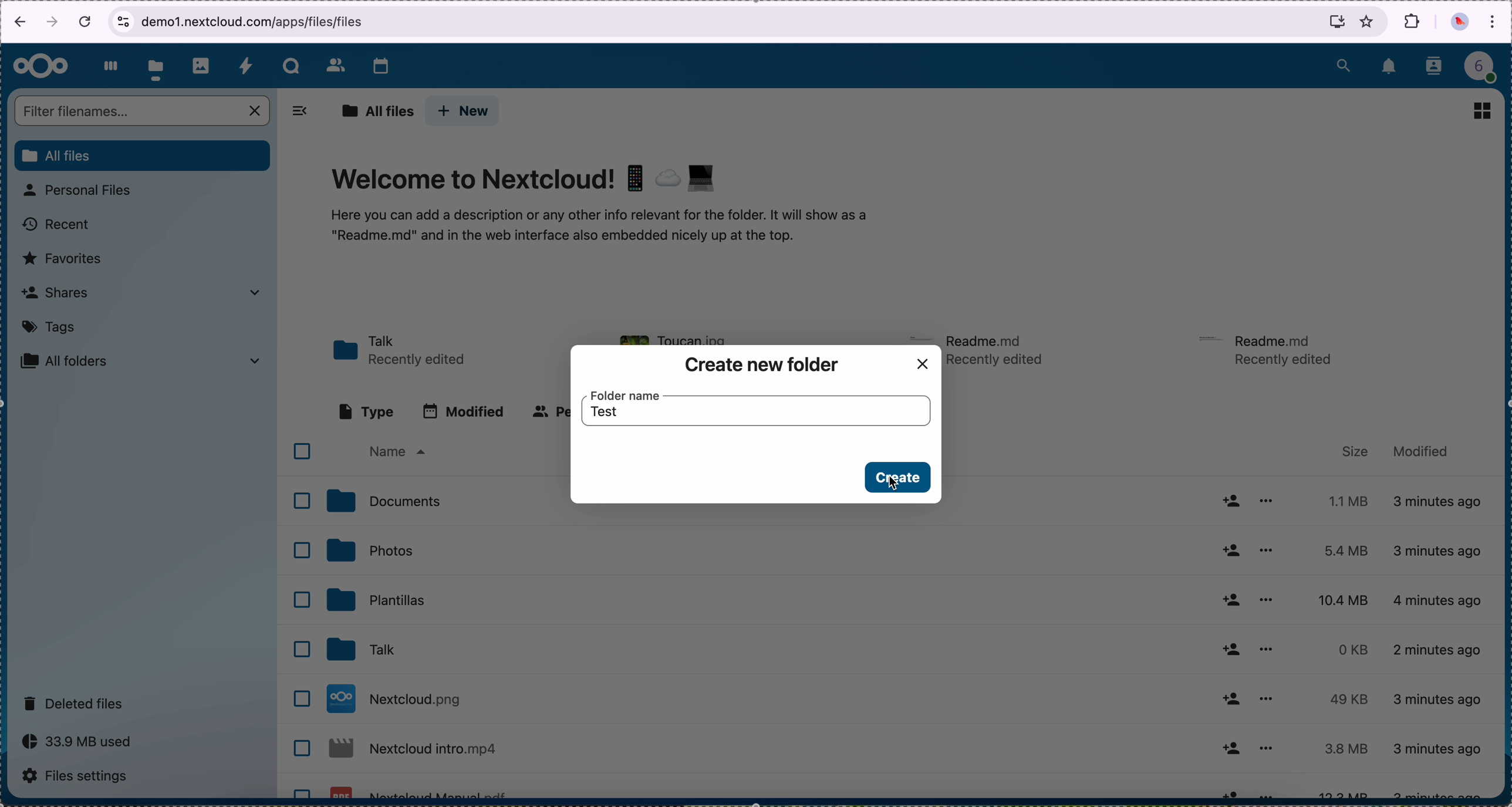 The image size is (1512, 807). Describe the element at coordinates (87, 21) in the screenshot. I see `cancel` at that location.